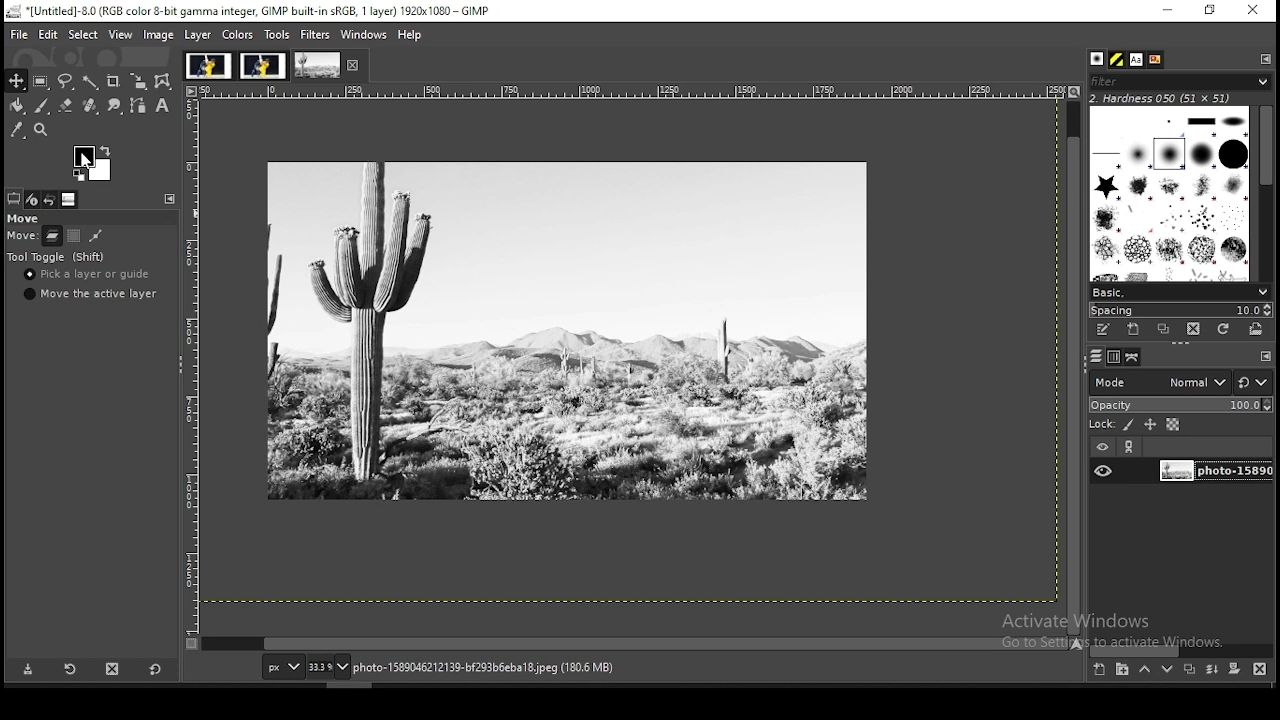  What do you see at coordinates (138, 105) in the screenshot?
I see `paths tool` at bounding box center [138, 105].